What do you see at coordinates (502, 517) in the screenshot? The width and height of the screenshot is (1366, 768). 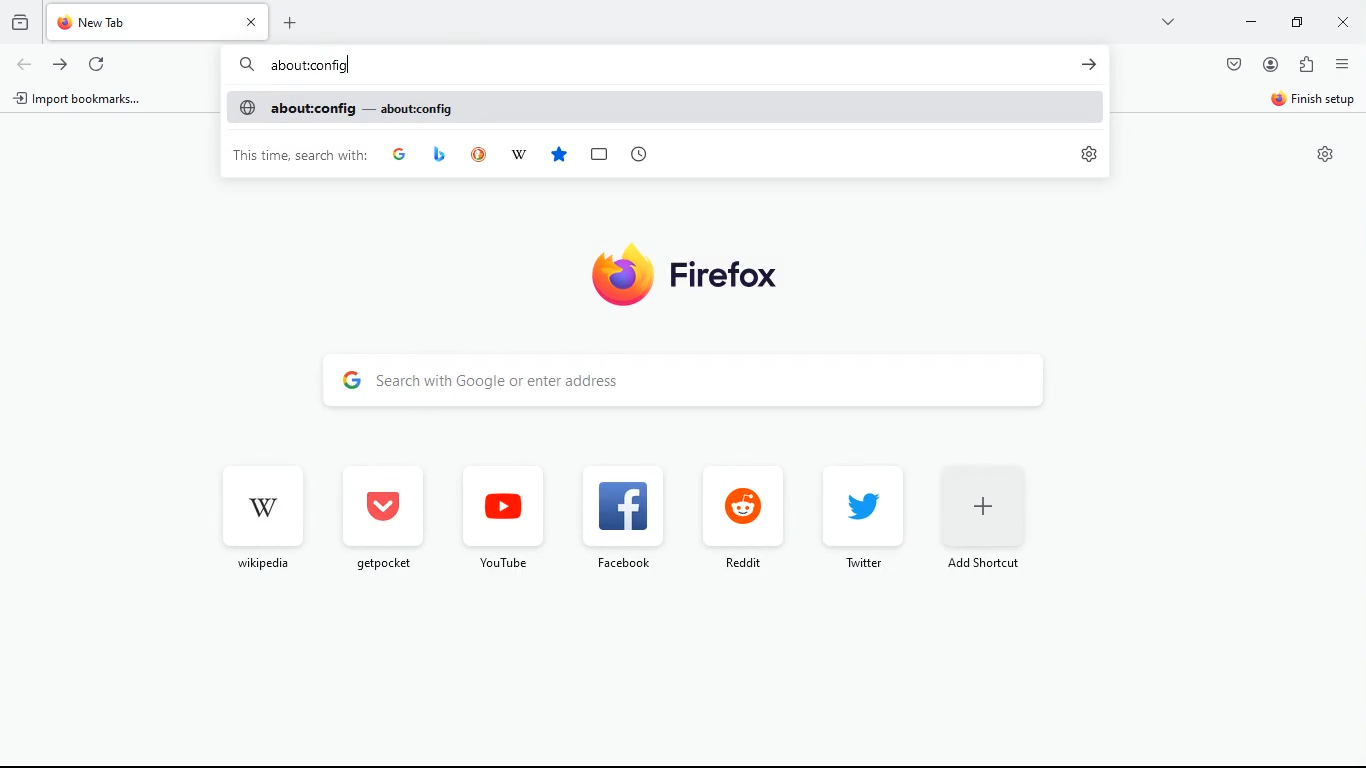 I see `youtube` at bounding box center [502, 517].